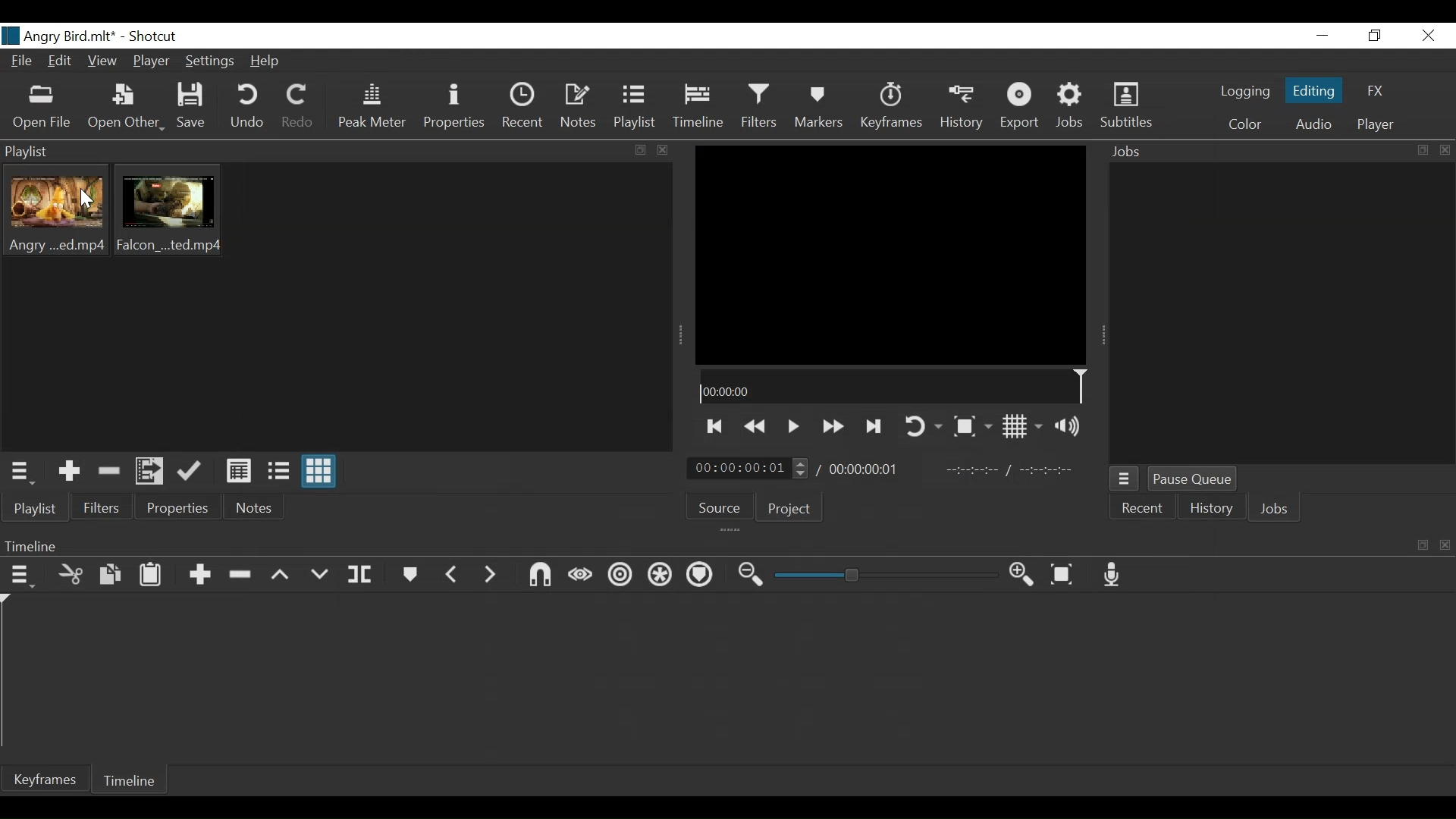  I want to click on View, so click(102, 63).